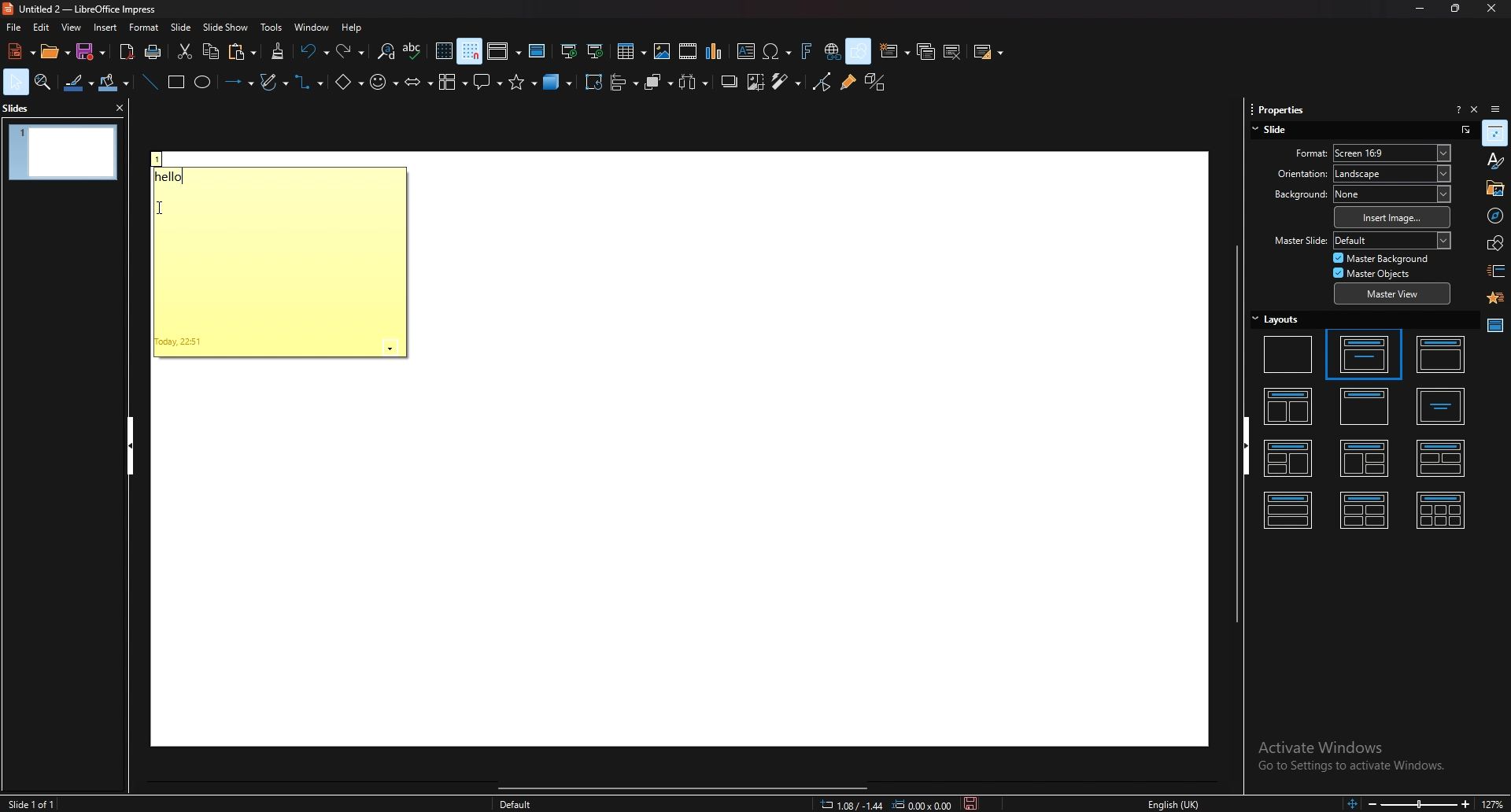  I want to click on default, so click(516, 803).